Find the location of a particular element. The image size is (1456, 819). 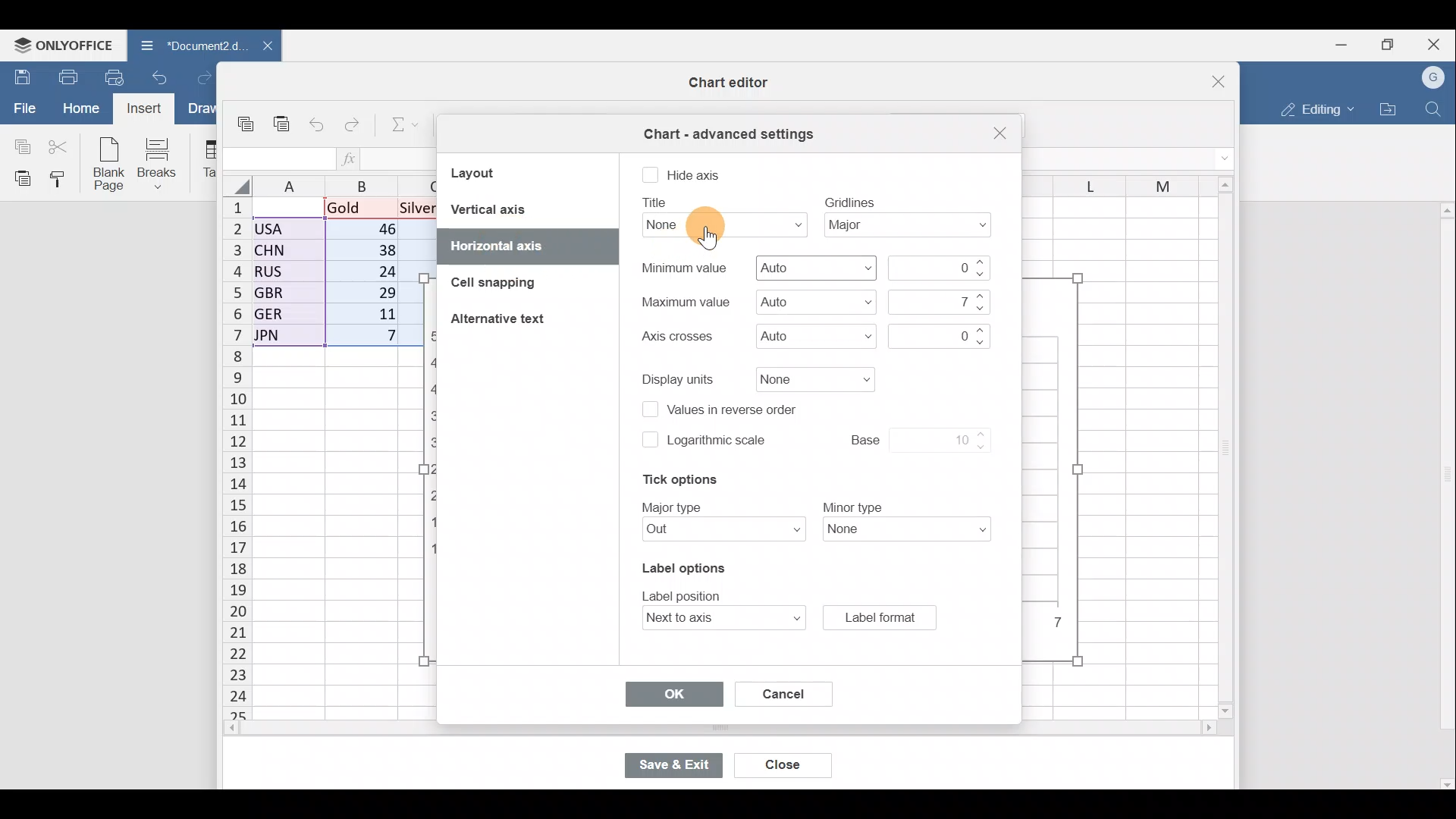

Cell snapping is located at coordinates (485, 285).